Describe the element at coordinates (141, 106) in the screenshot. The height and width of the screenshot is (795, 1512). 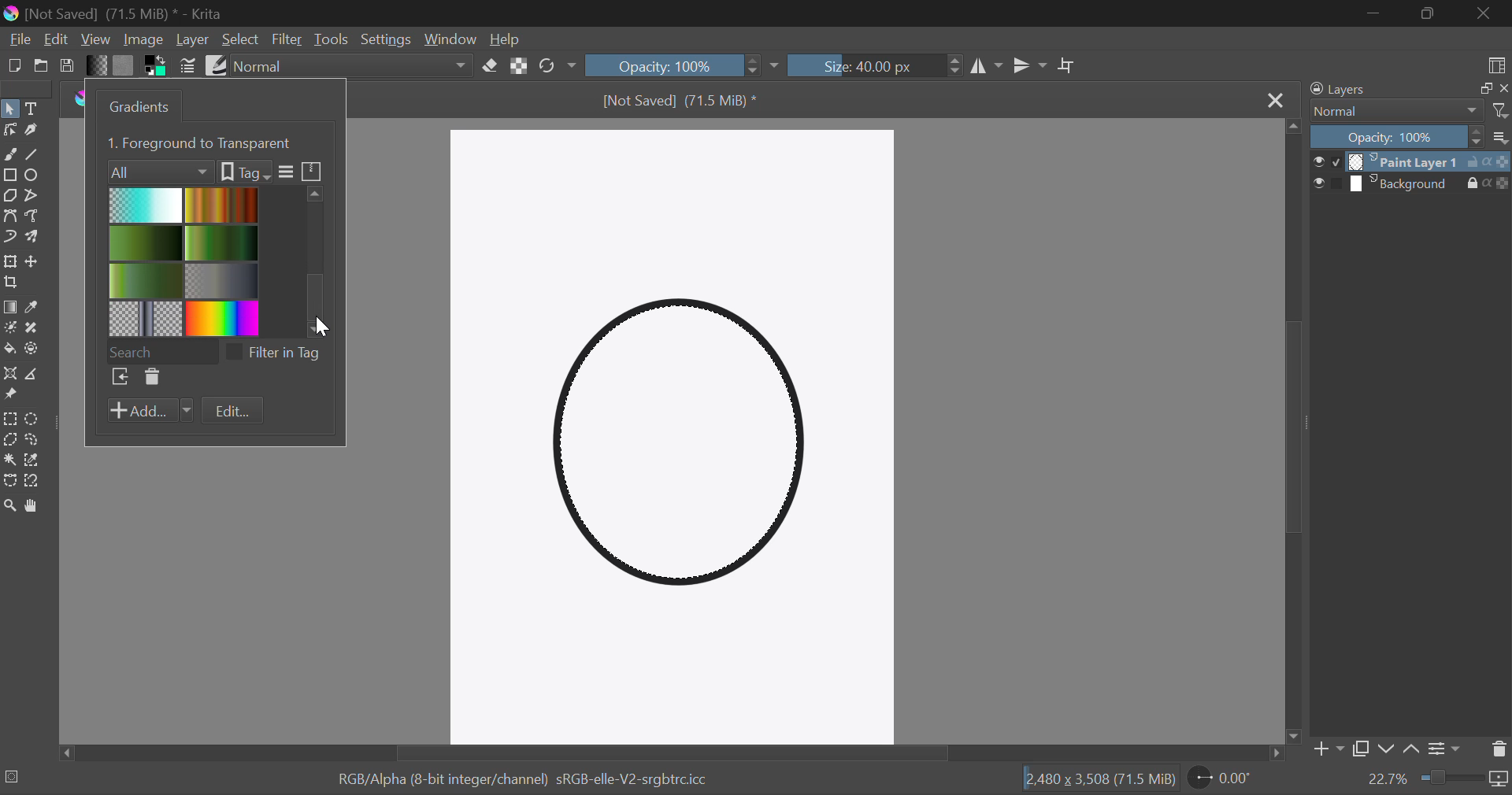
I see `Gradients` at that location.